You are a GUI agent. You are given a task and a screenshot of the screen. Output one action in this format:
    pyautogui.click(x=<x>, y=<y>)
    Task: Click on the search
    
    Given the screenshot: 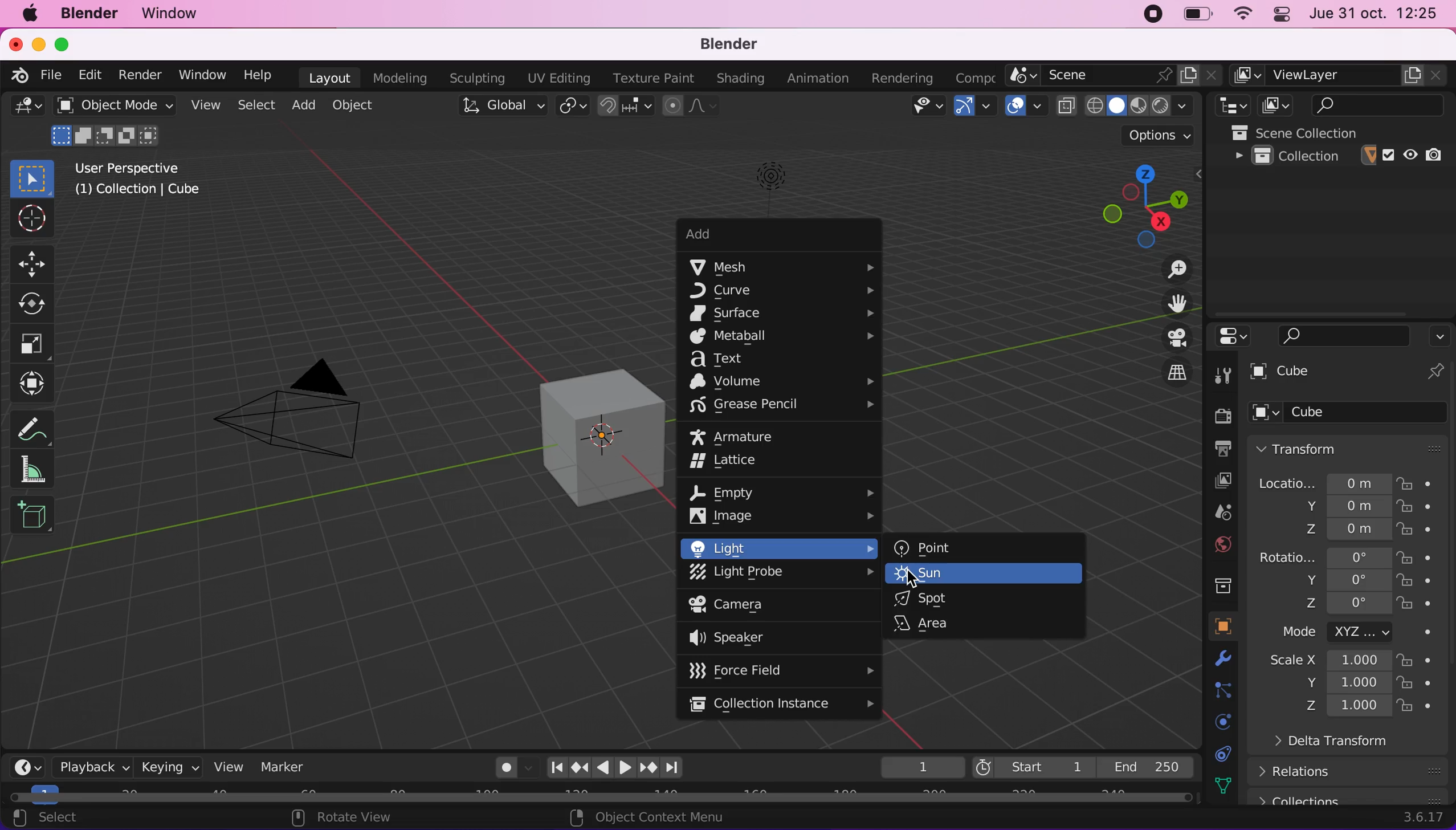 What is the action you would take?
    pyautogui.click(x=1369, y=104)
    